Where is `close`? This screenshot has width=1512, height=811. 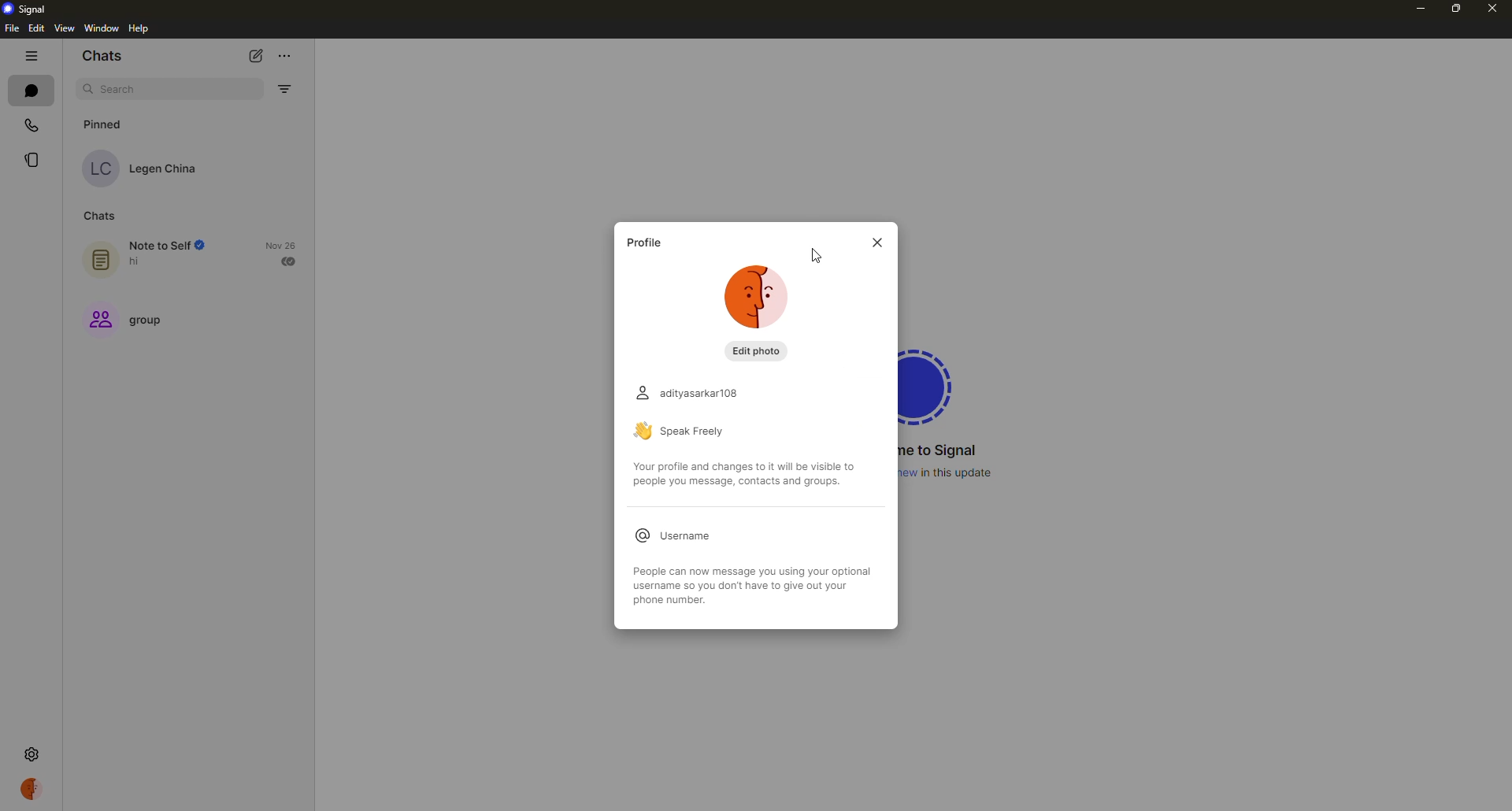
close is located at coordinates (879, 243).